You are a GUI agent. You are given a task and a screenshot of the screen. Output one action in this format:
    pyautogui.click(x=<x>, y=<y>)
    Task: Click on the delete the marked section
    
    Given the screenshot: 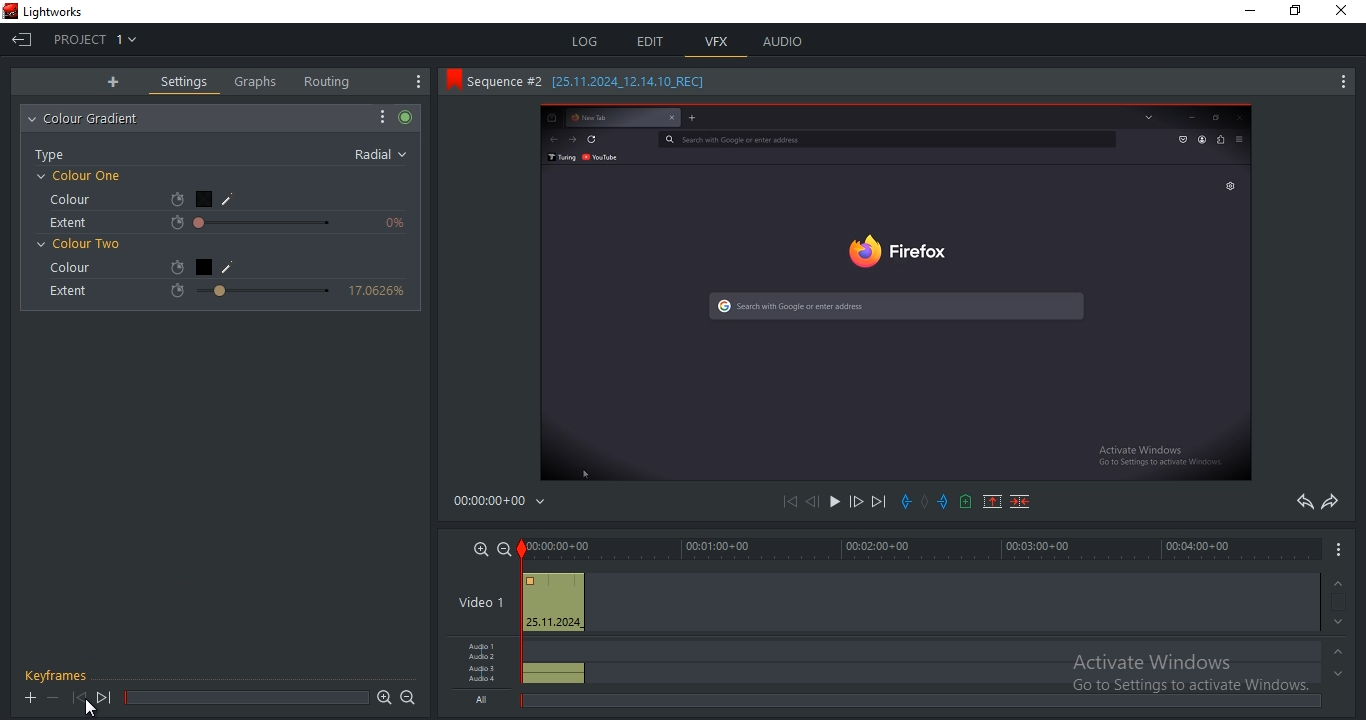 What is the action you would take?
    pyautogui.click(x=1019, y=503)
    